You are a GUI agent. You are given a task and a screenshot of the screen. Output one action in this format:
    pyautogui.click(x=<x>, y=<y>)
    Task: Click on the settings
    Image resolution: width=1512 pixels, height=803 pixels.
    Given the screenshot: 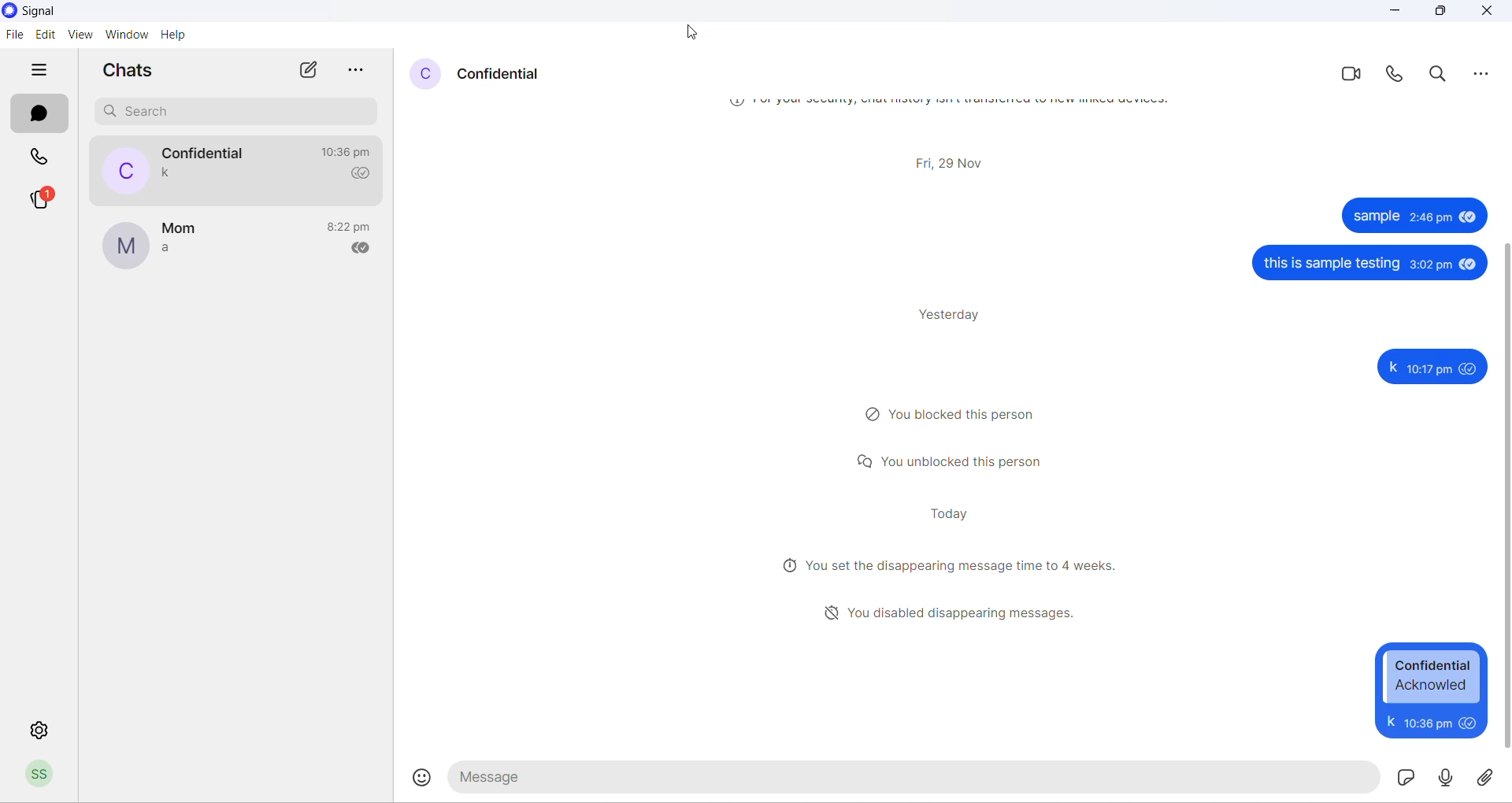 What is the action you would take?
    pyautogui.click(x=42, y=727)
    